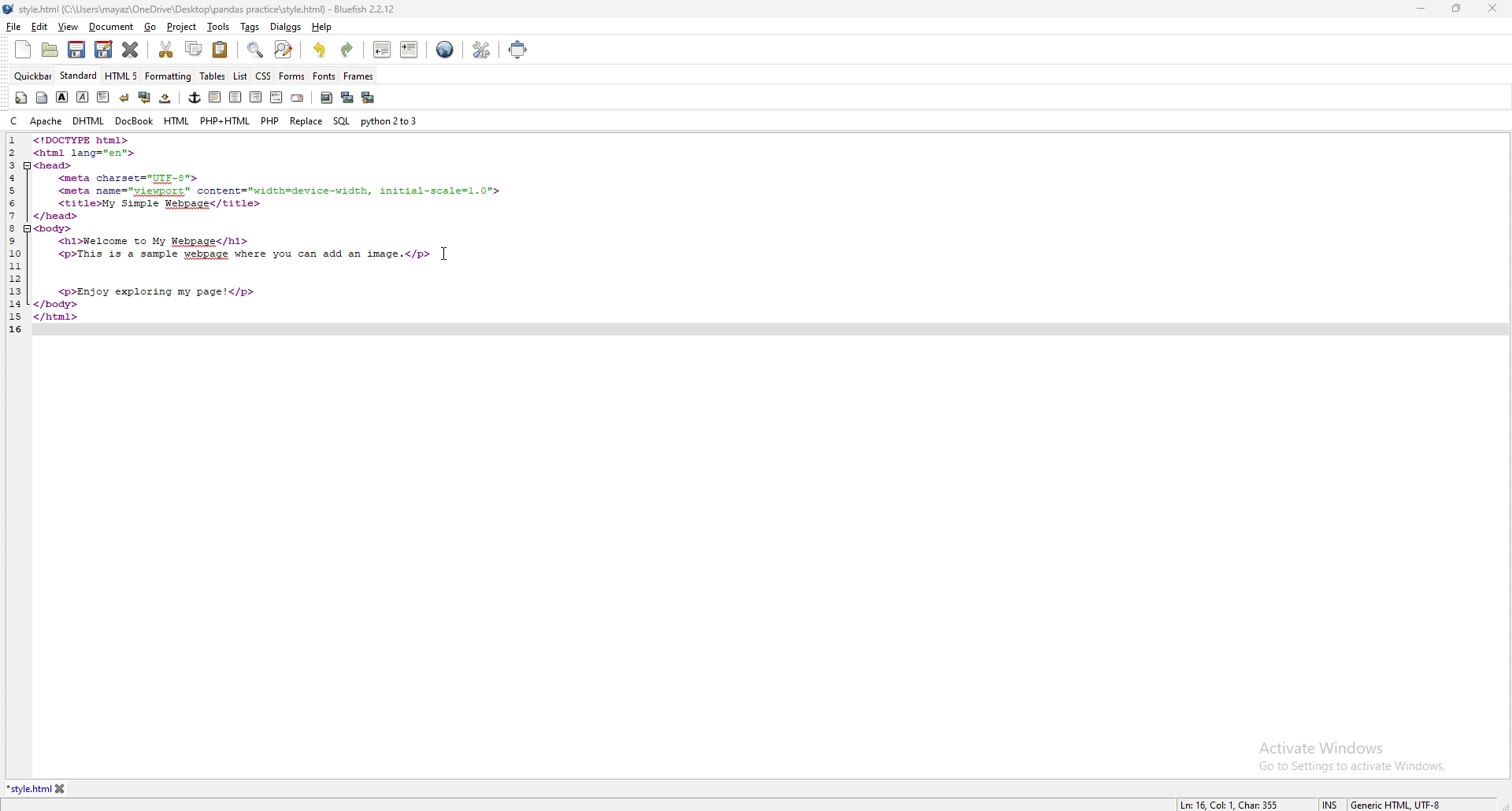 The width and height of the screenshot is (1512, 811). Describe the element at coordinates (520, 49) in the screenshot. I see `full screen` at that location.